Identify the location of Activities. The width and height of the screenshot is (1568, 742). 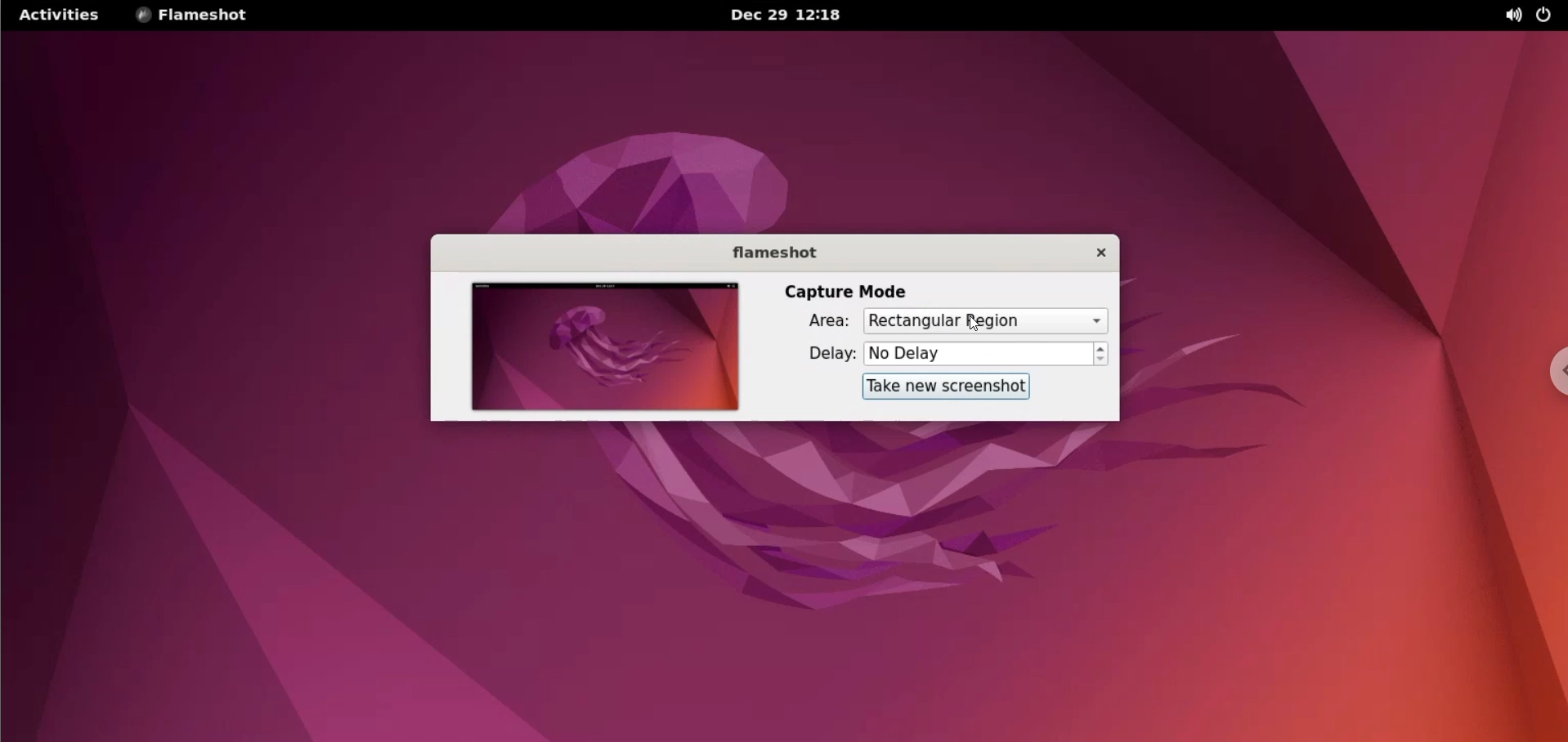
(58, 16).